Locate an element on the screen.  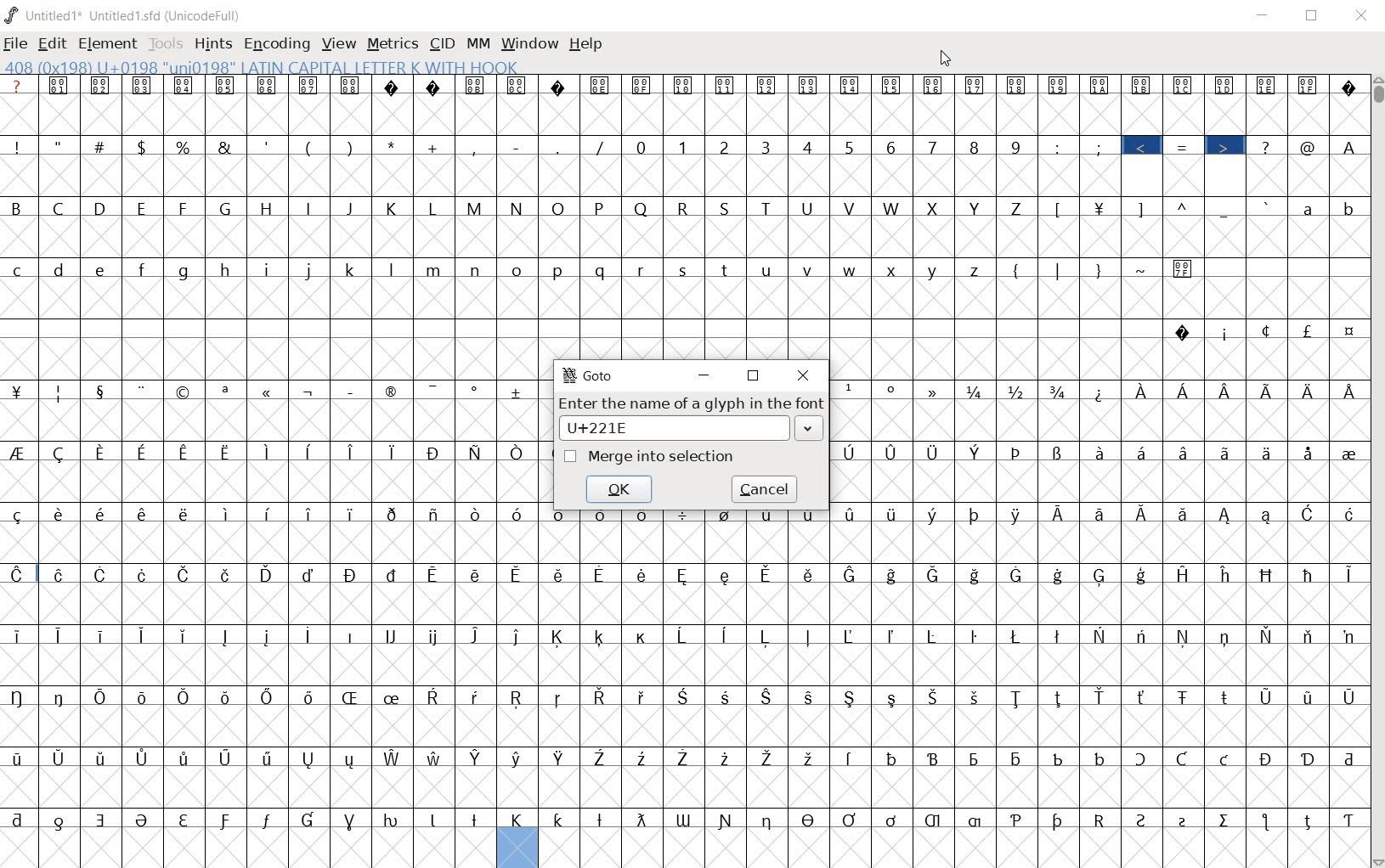
enter the name of a glyph in the font is located at coordinates (690, 403).